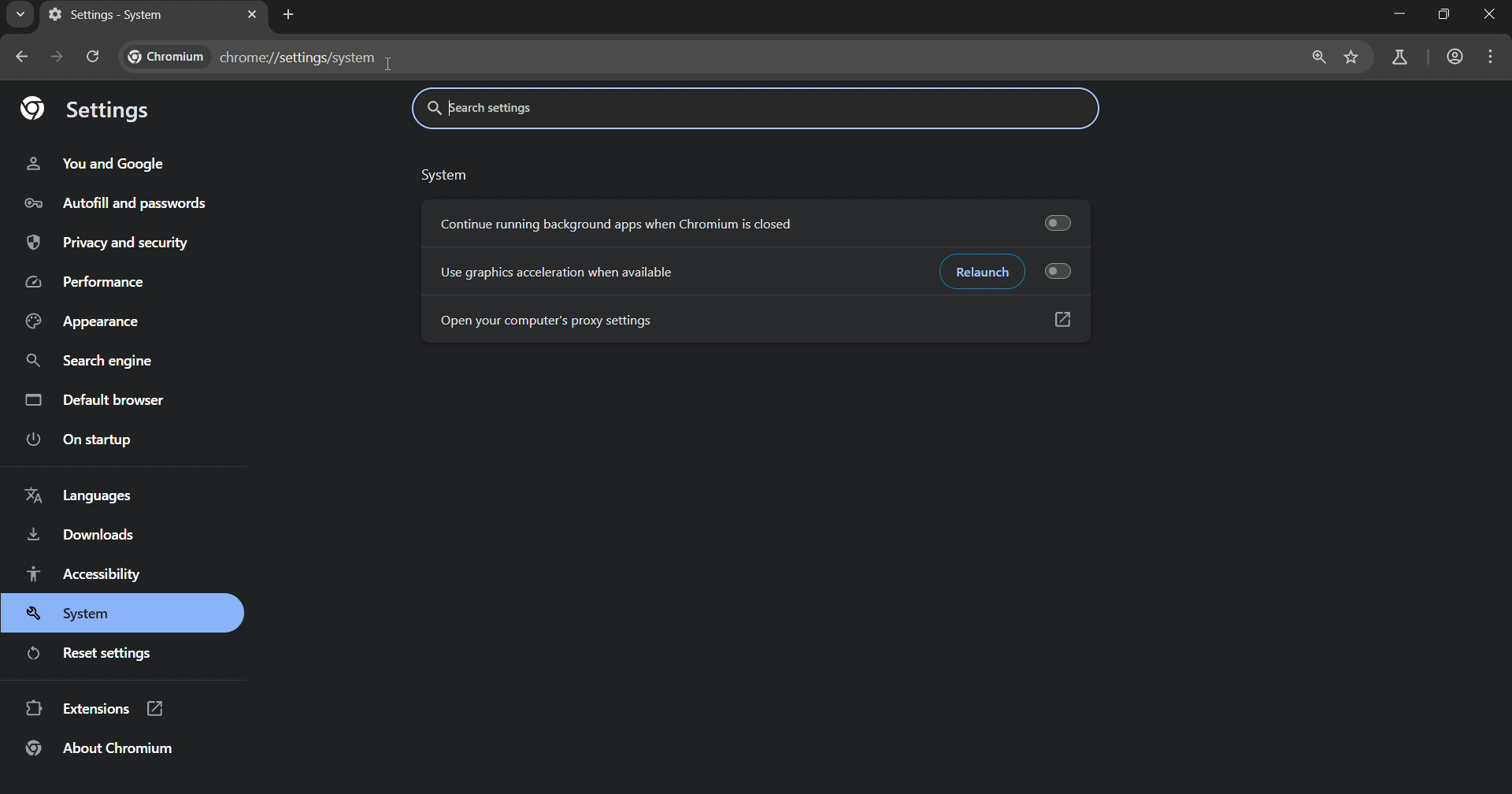 The width and height of the screenshot is (1512, 794). I want to click on reset settings, so click(91, 655).